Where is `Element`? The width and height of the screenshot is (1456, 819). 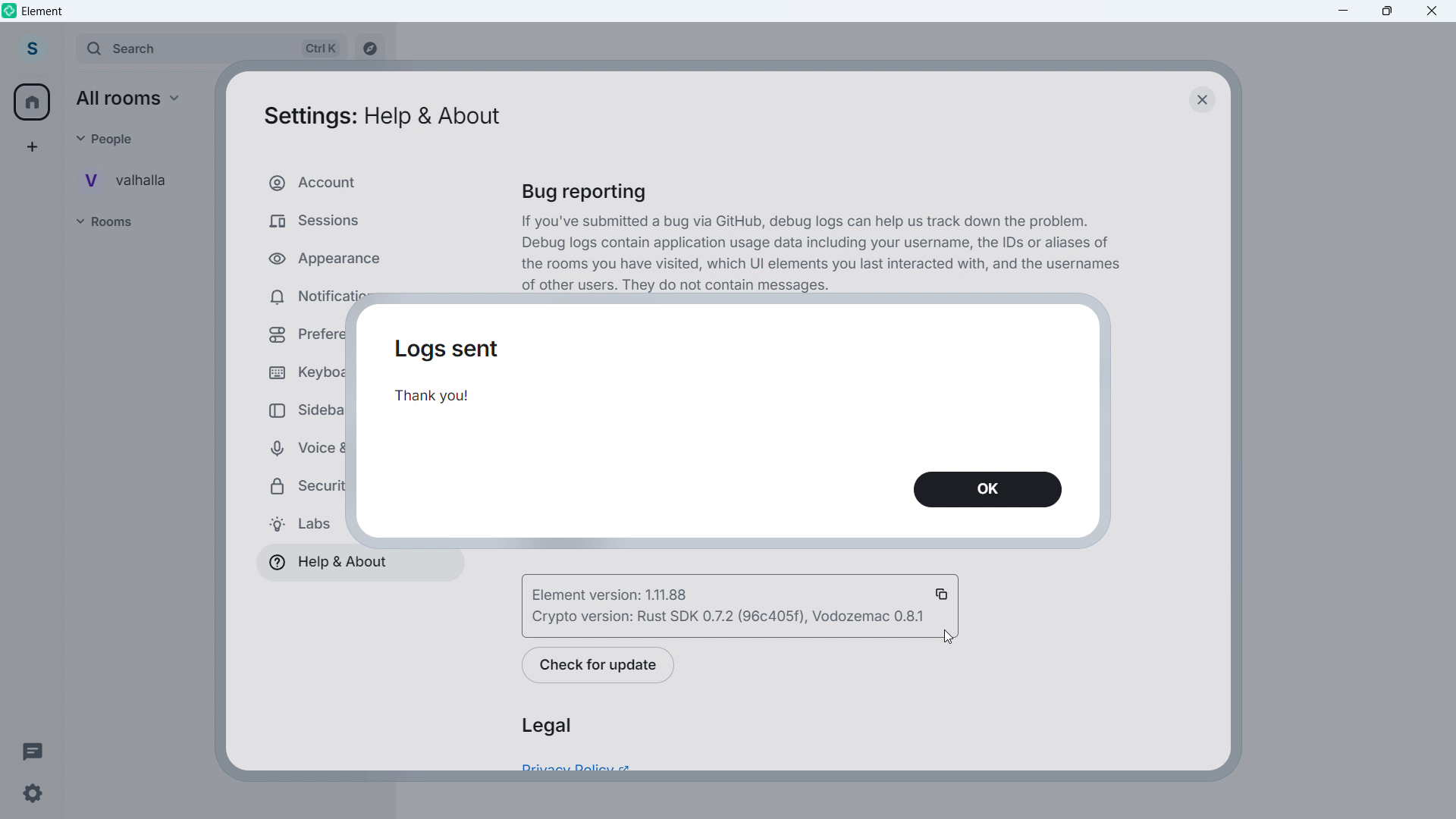 Element is located at coordinates (43, 11).